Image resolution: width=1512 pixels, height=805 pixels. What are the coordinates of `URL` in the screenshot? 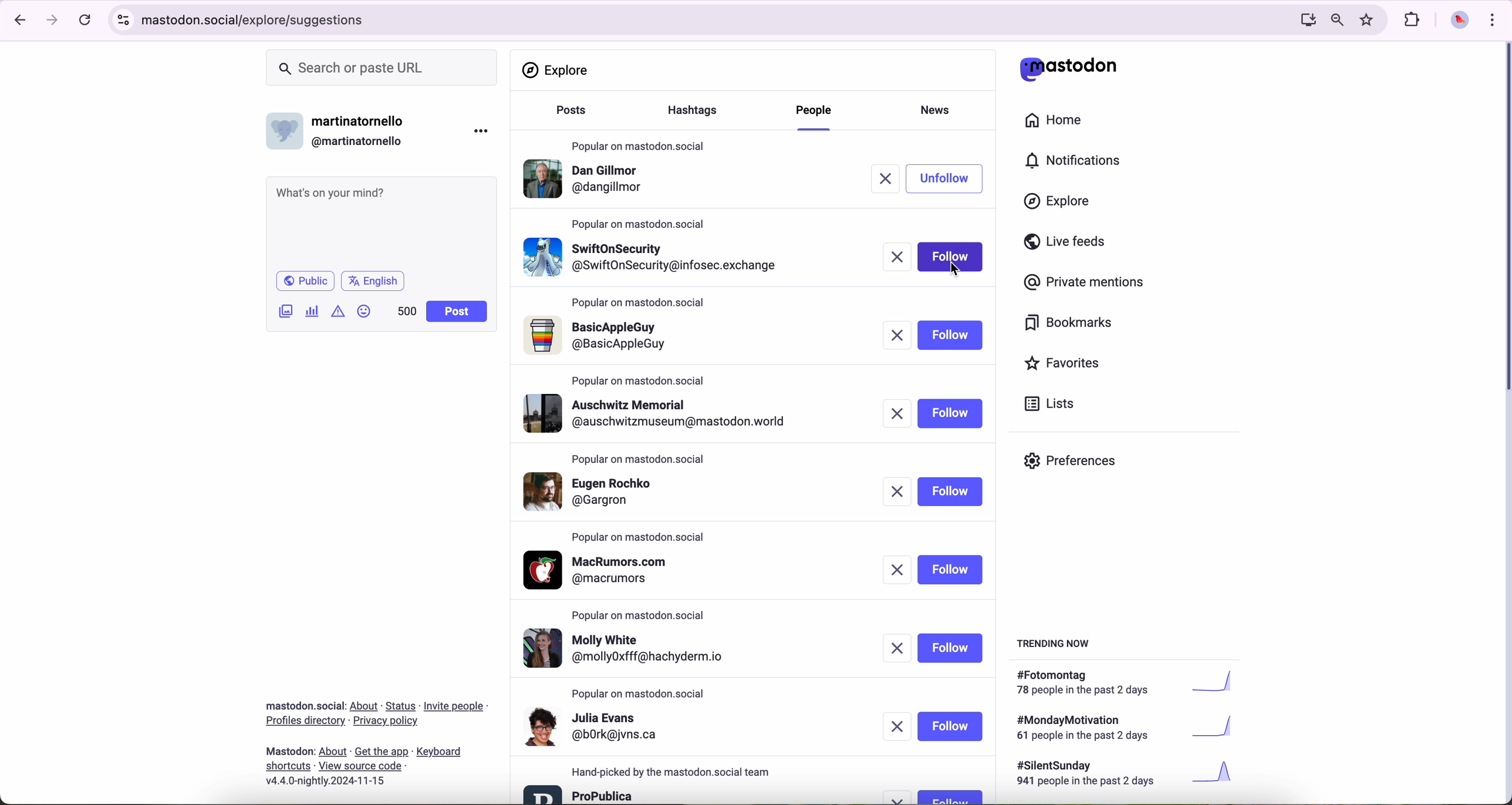 It's located at (258, 18).